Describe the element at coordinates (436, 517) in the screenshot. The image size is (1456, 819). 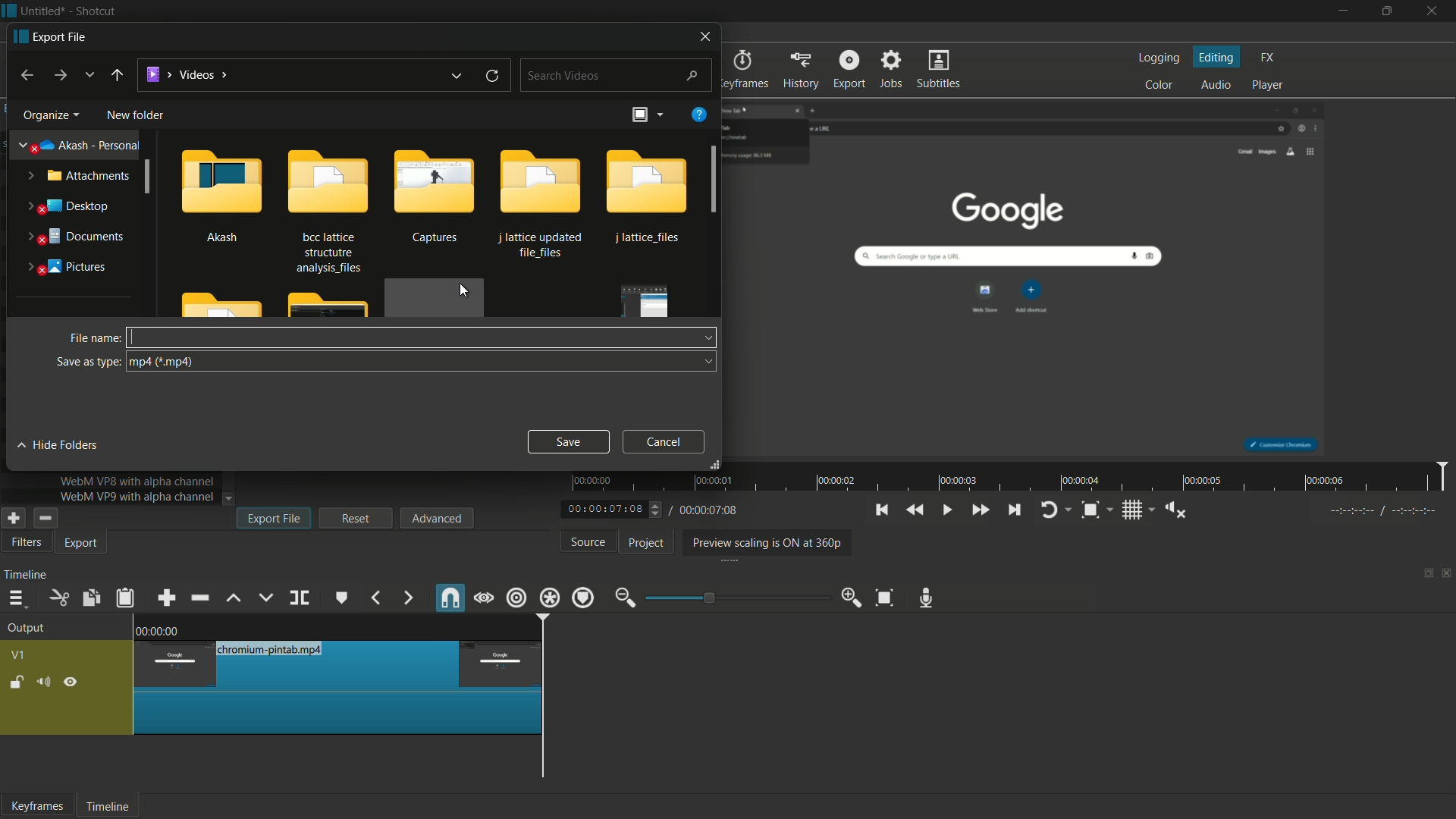
I see `advanced` at that location.